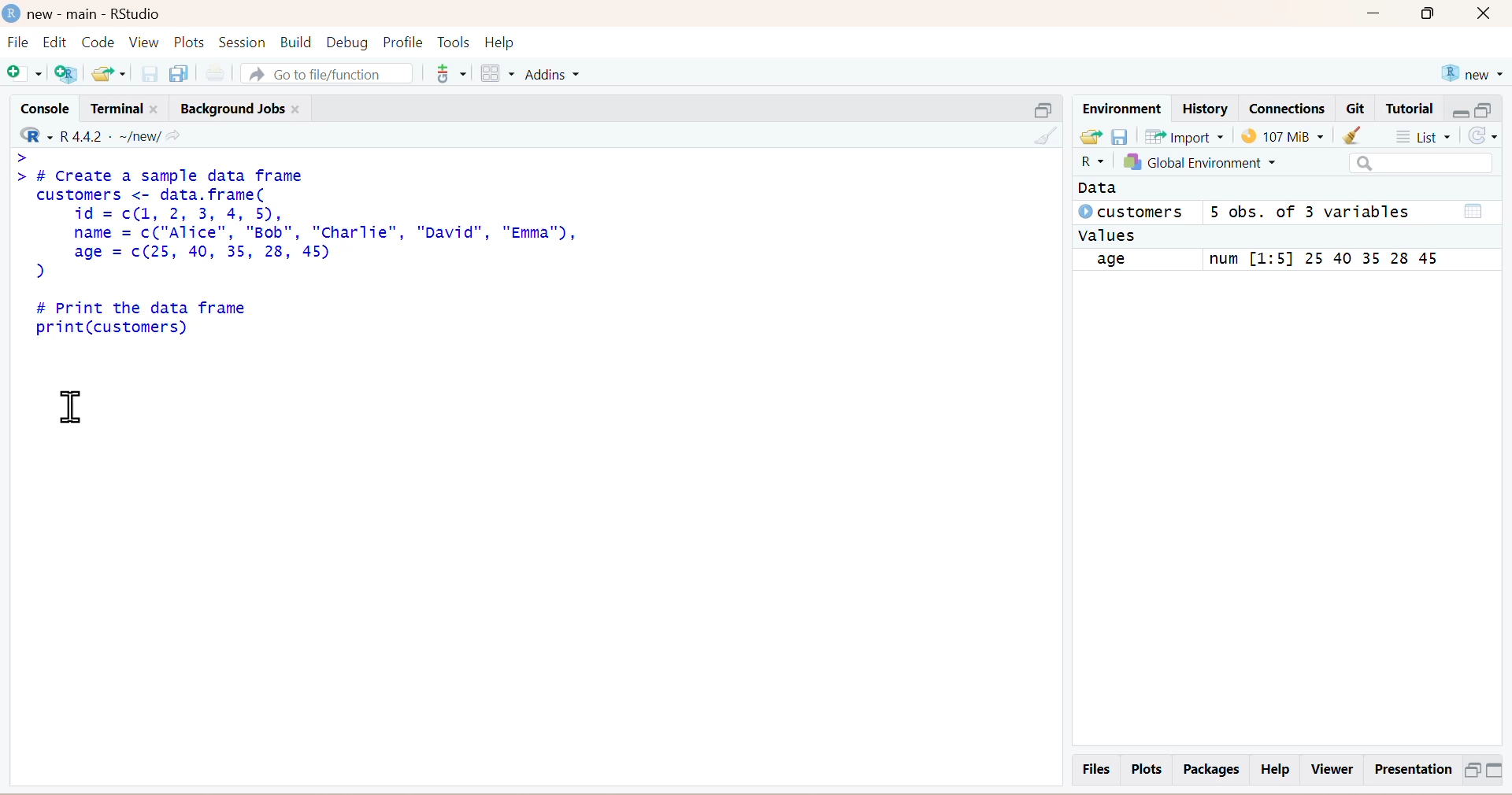 Image resolution: width=1512 pixels, height=795 pixels. What do you see at coordinates (495, 71) in the screenshot?
I see `workspaces pane` at bounding box center [495, 71].